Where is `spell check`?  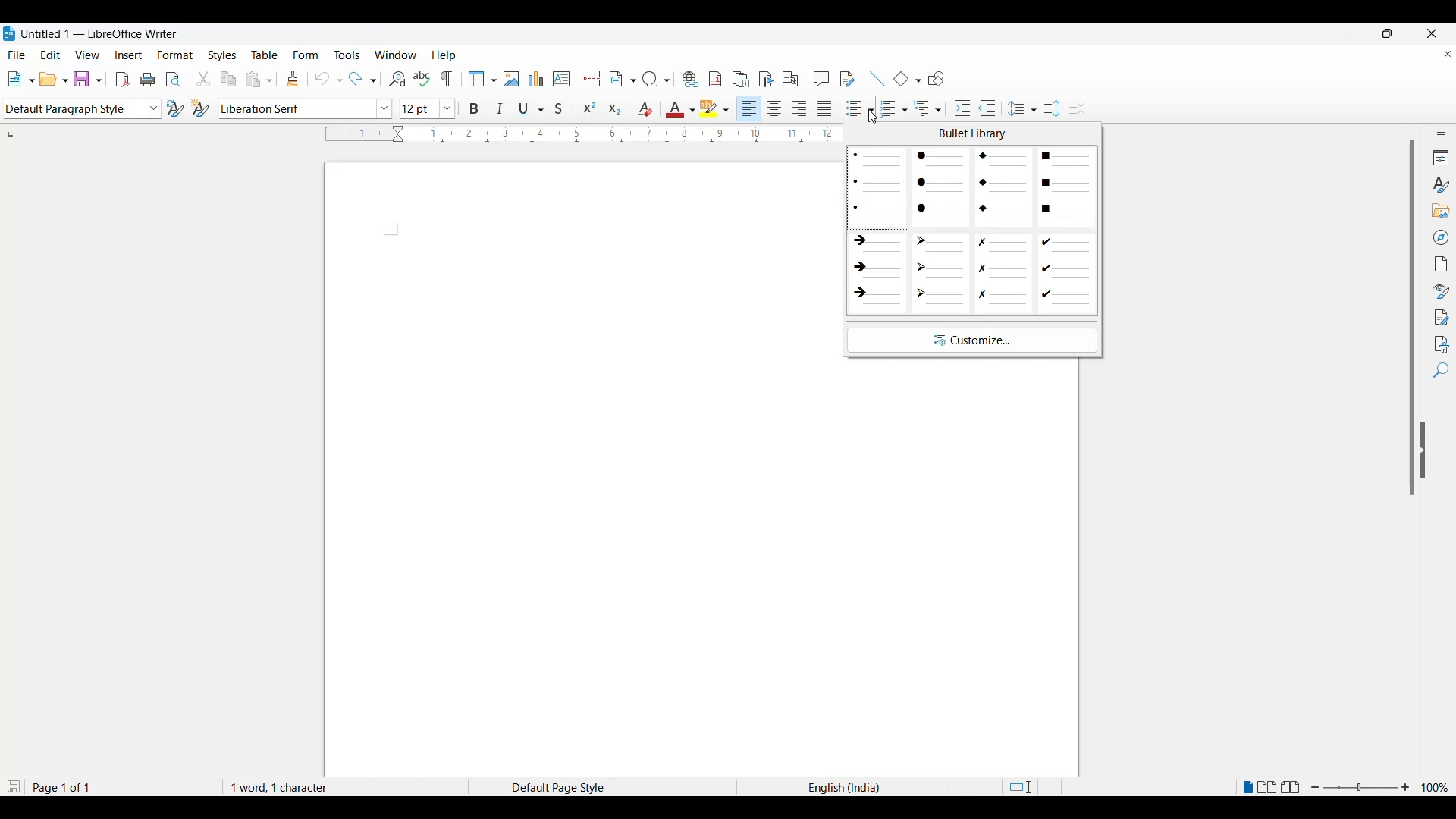
spell check is located at coordinates (422, 77).